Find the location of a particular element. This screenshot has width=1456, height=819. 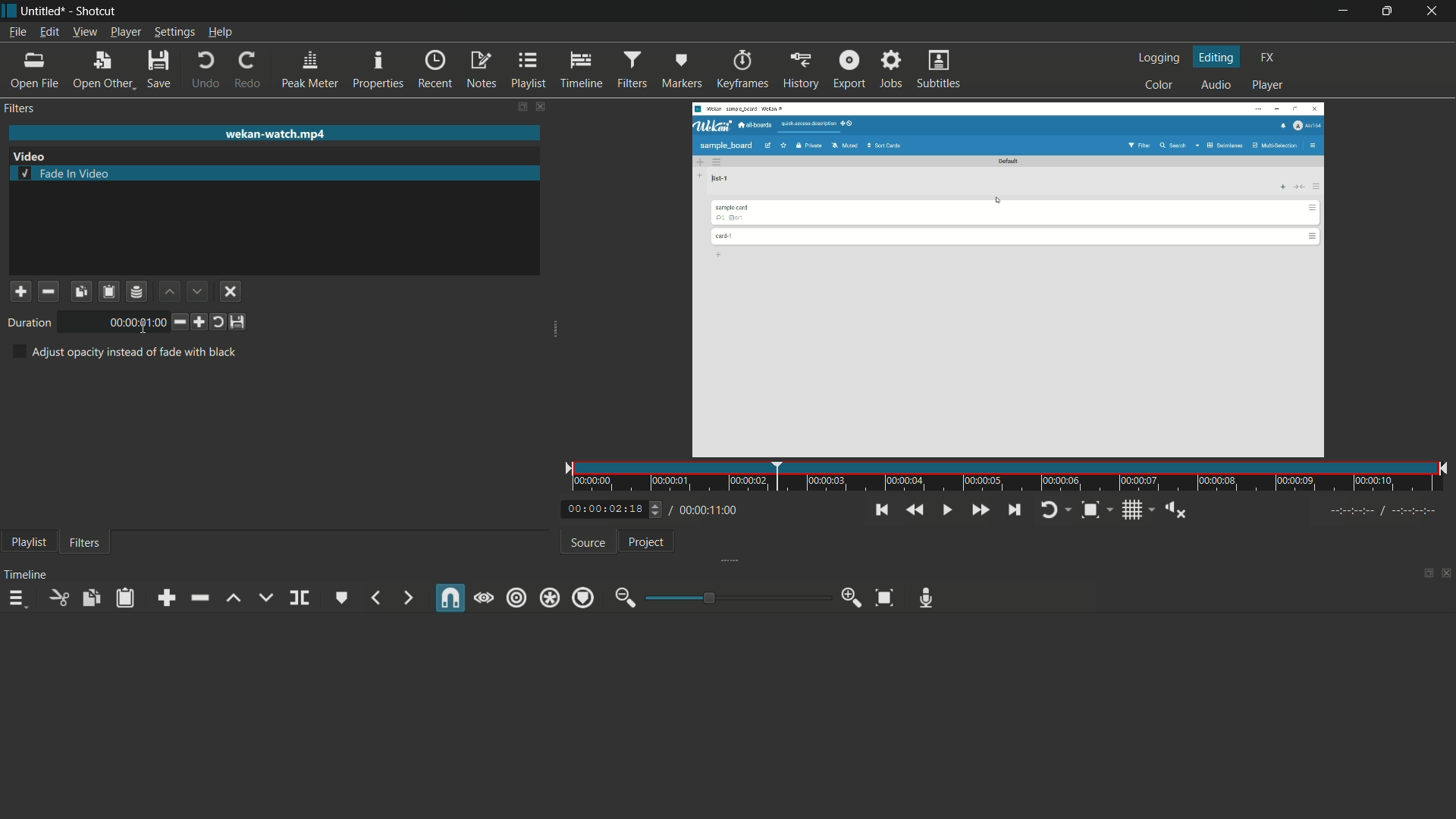

create or edit marker is located at coordinates (342, 598).